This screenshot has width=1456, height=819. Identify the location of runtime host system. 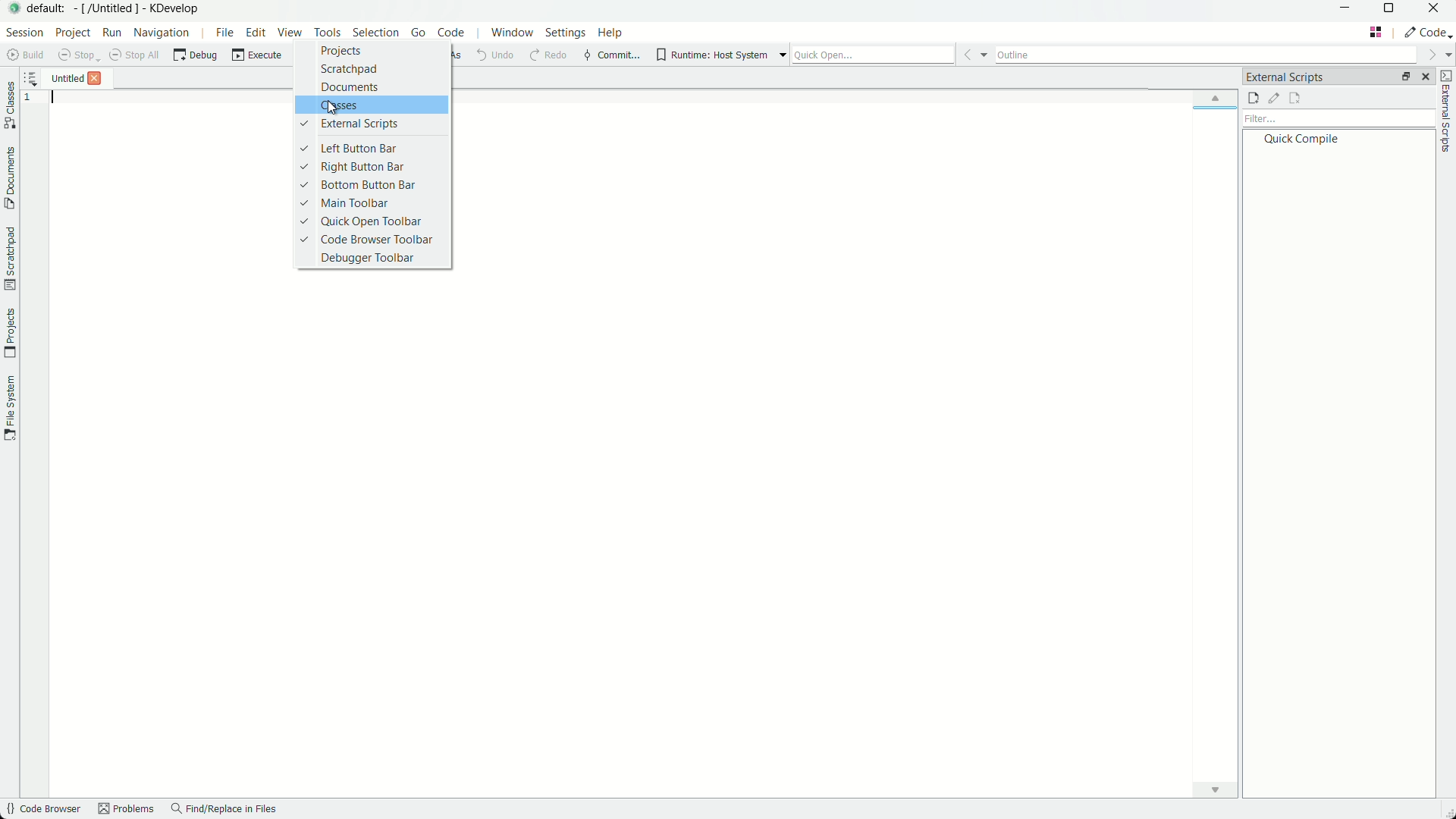
(718, 55).